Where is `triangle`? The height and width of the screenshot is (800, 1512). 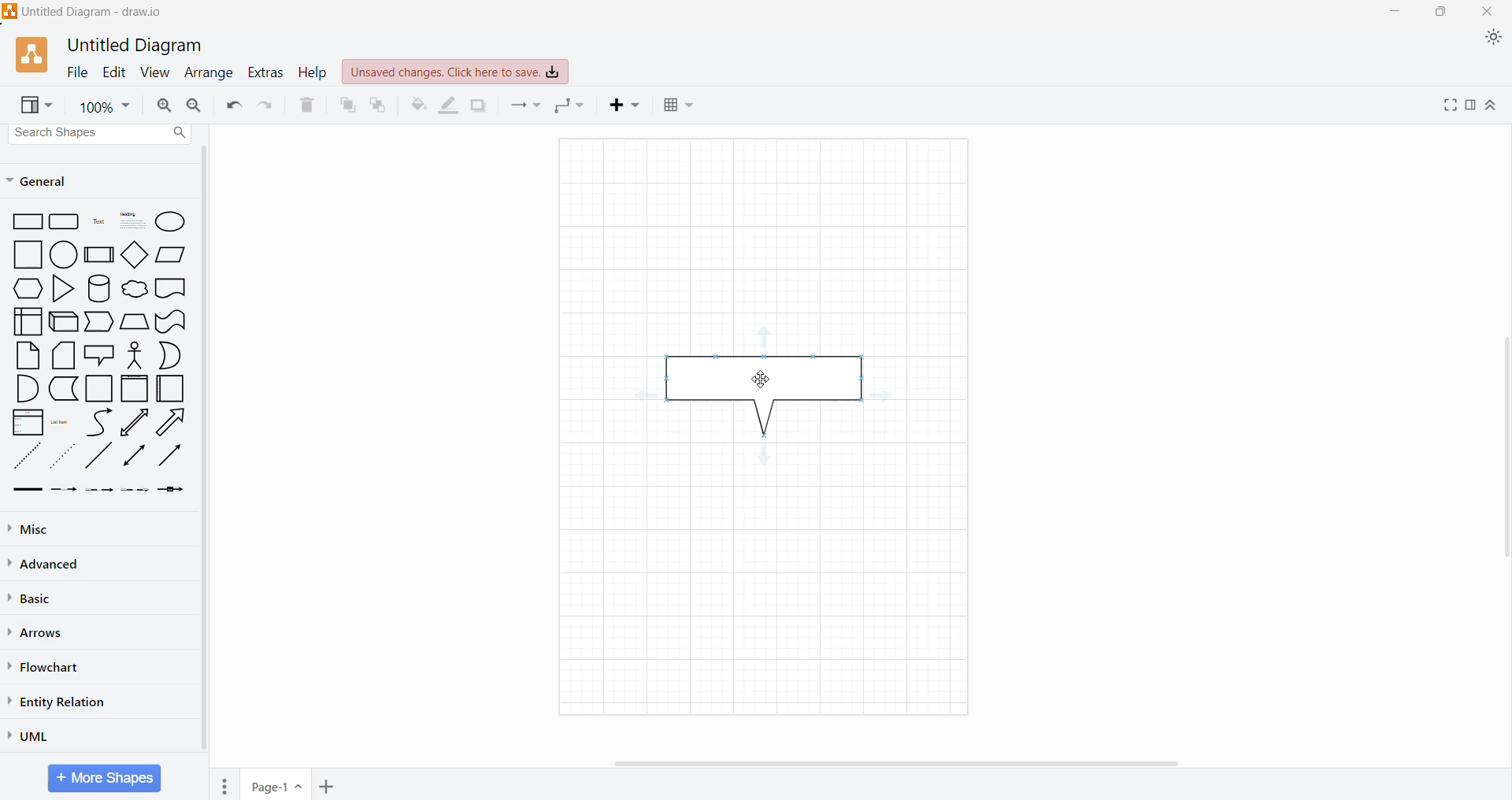
triangle is located at coordinates (61, 289).